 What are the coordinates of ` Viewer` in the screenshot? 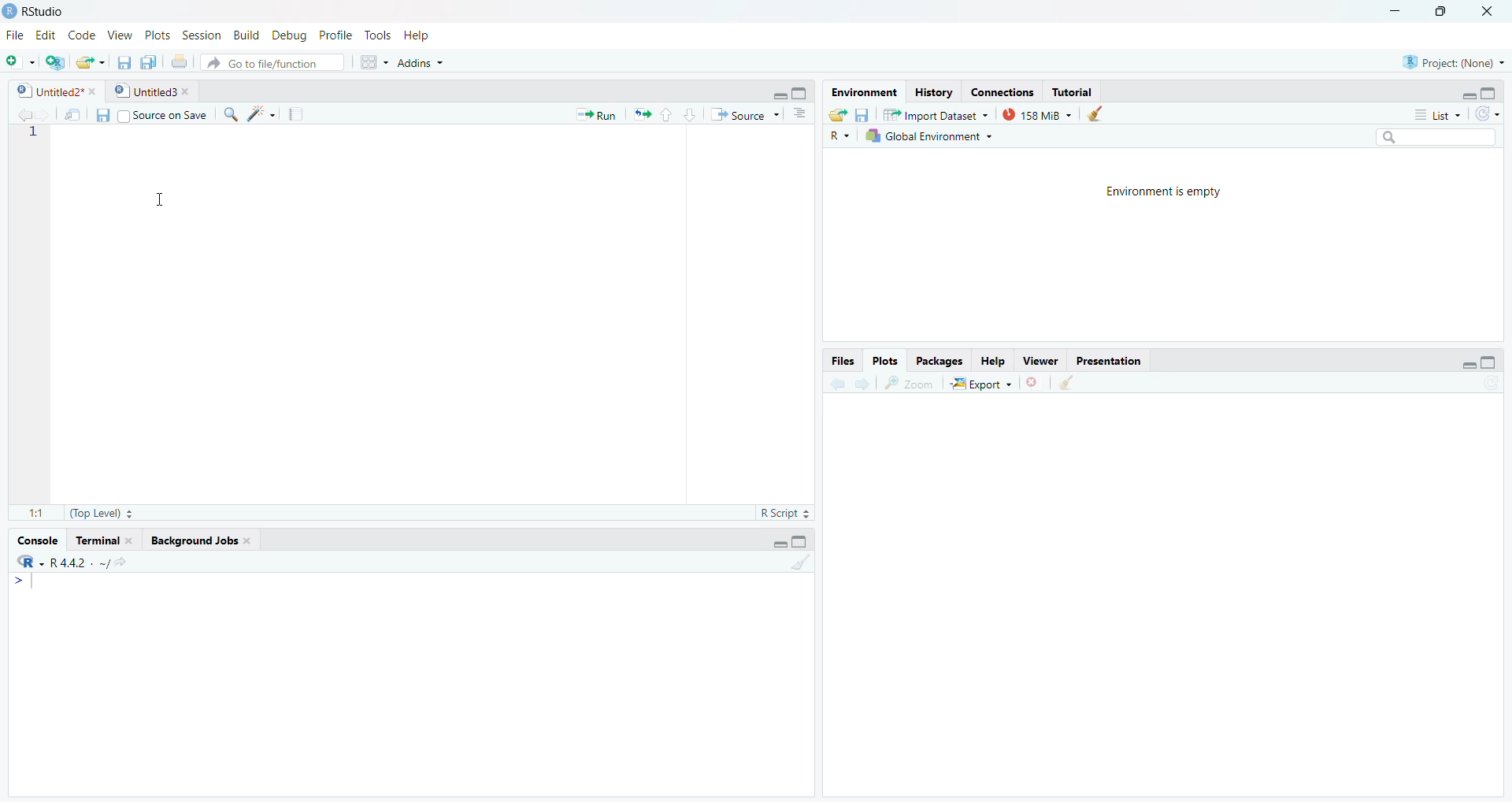 It's located at (1041, 362).